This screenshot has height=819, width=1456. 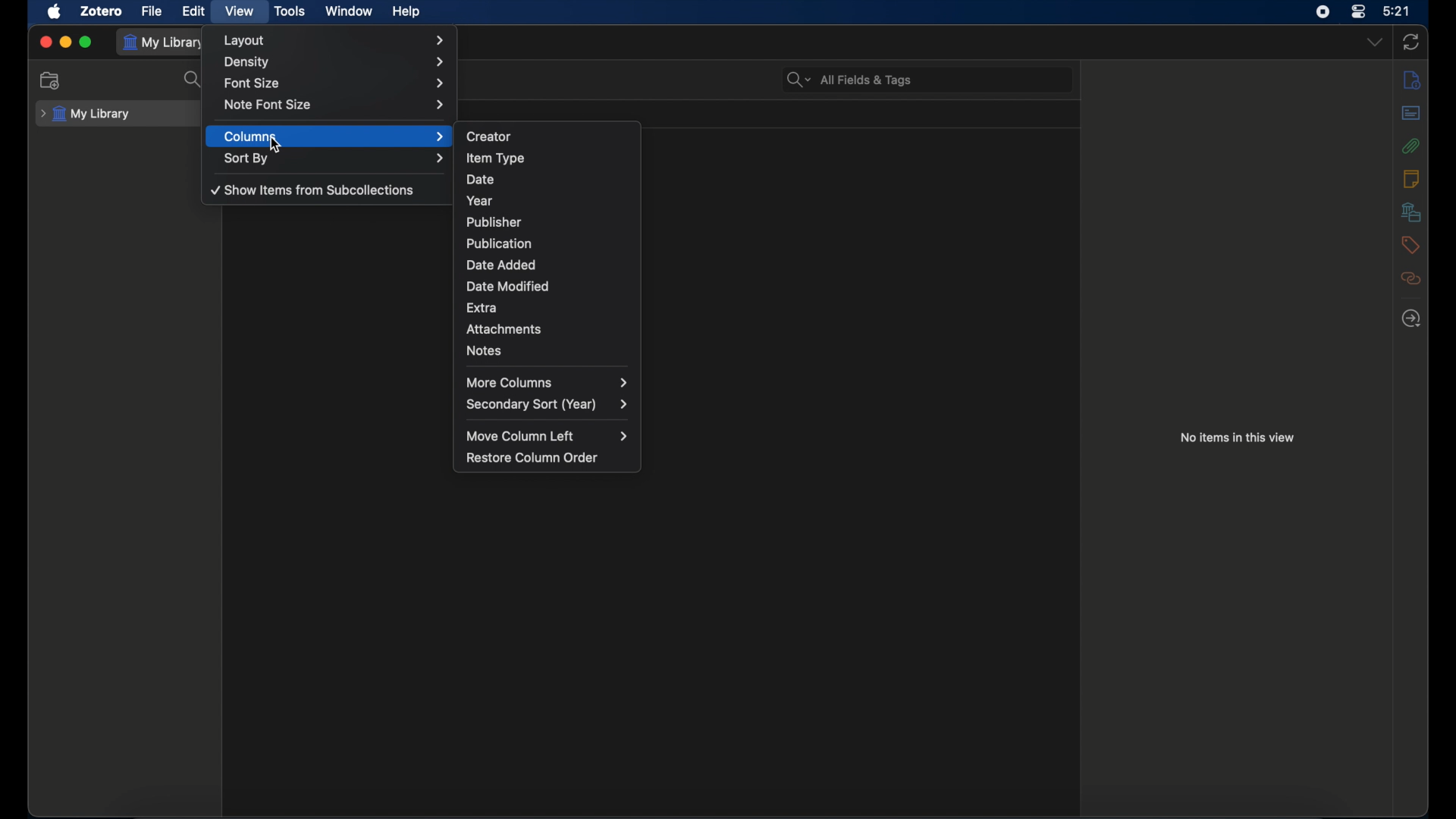 What do you see at coordinates (164, 42) in the screenshot?
I see `my library` at bounding box center [164, 42].